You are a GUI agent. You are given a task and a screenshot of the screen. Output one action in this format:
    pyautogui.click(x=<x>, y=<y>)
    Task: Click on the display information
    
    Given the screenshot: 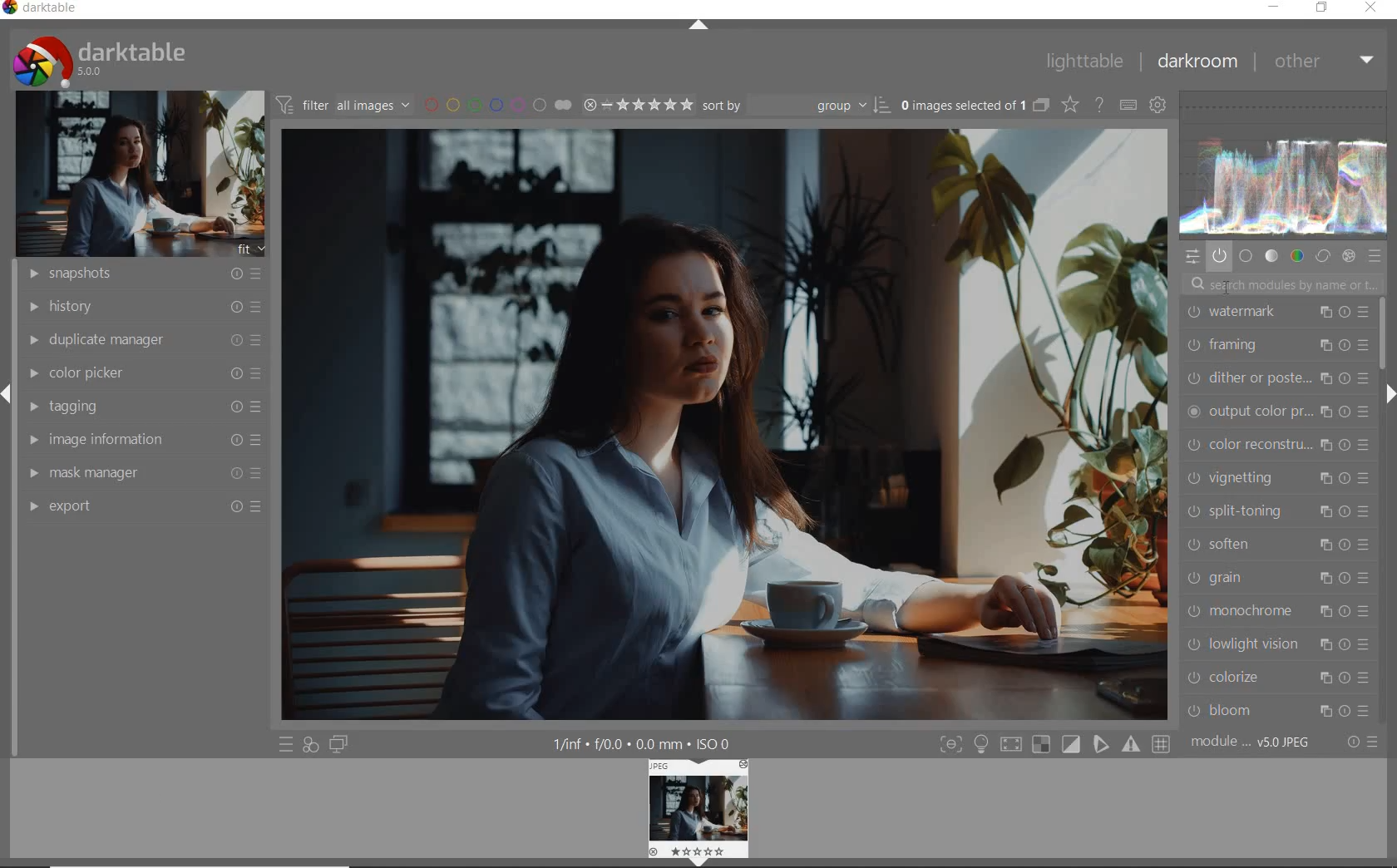 What is the action you would take?
    pyautogui.click(x=644, y=742)
    